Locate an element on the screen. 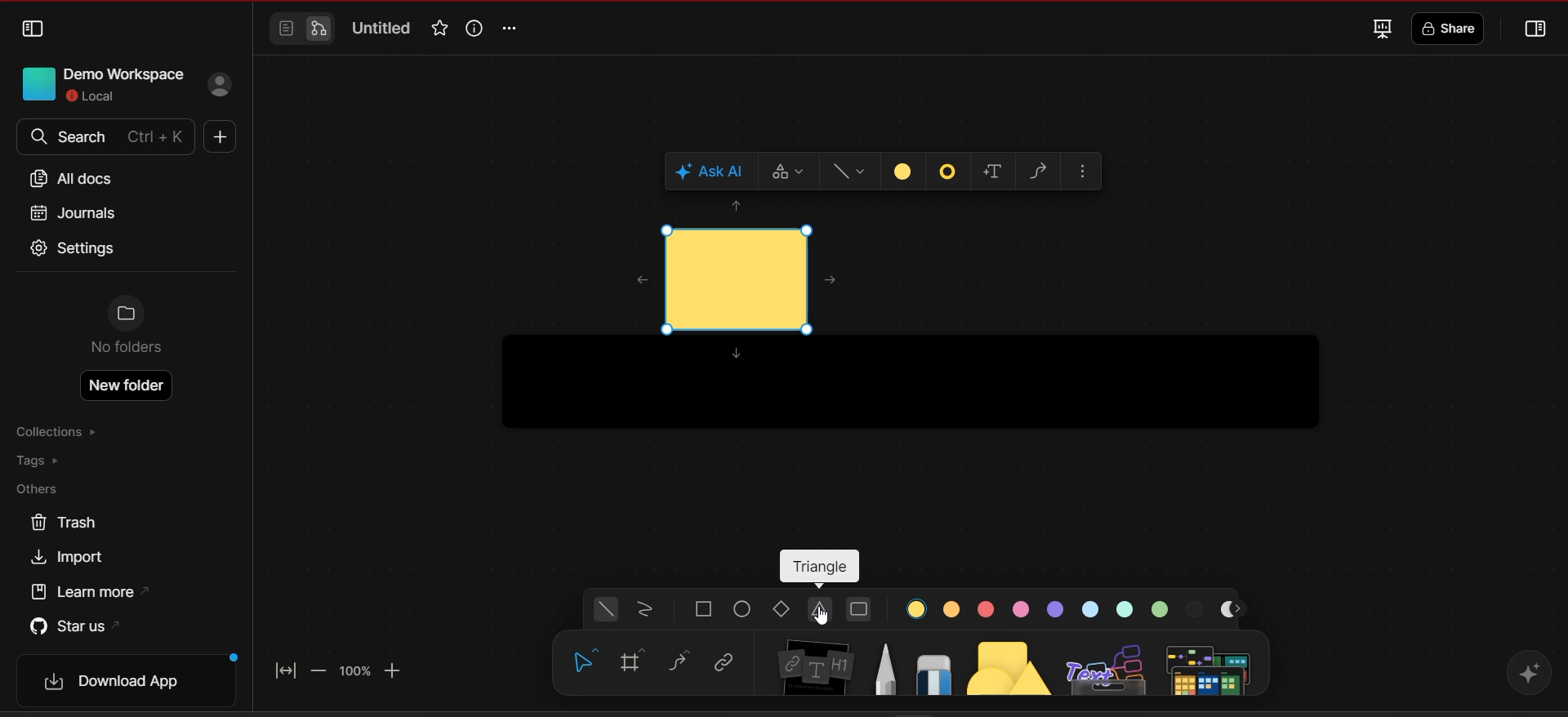 This screenshot has width=1568, height=717. favorite is located at coordinates (437, 29).